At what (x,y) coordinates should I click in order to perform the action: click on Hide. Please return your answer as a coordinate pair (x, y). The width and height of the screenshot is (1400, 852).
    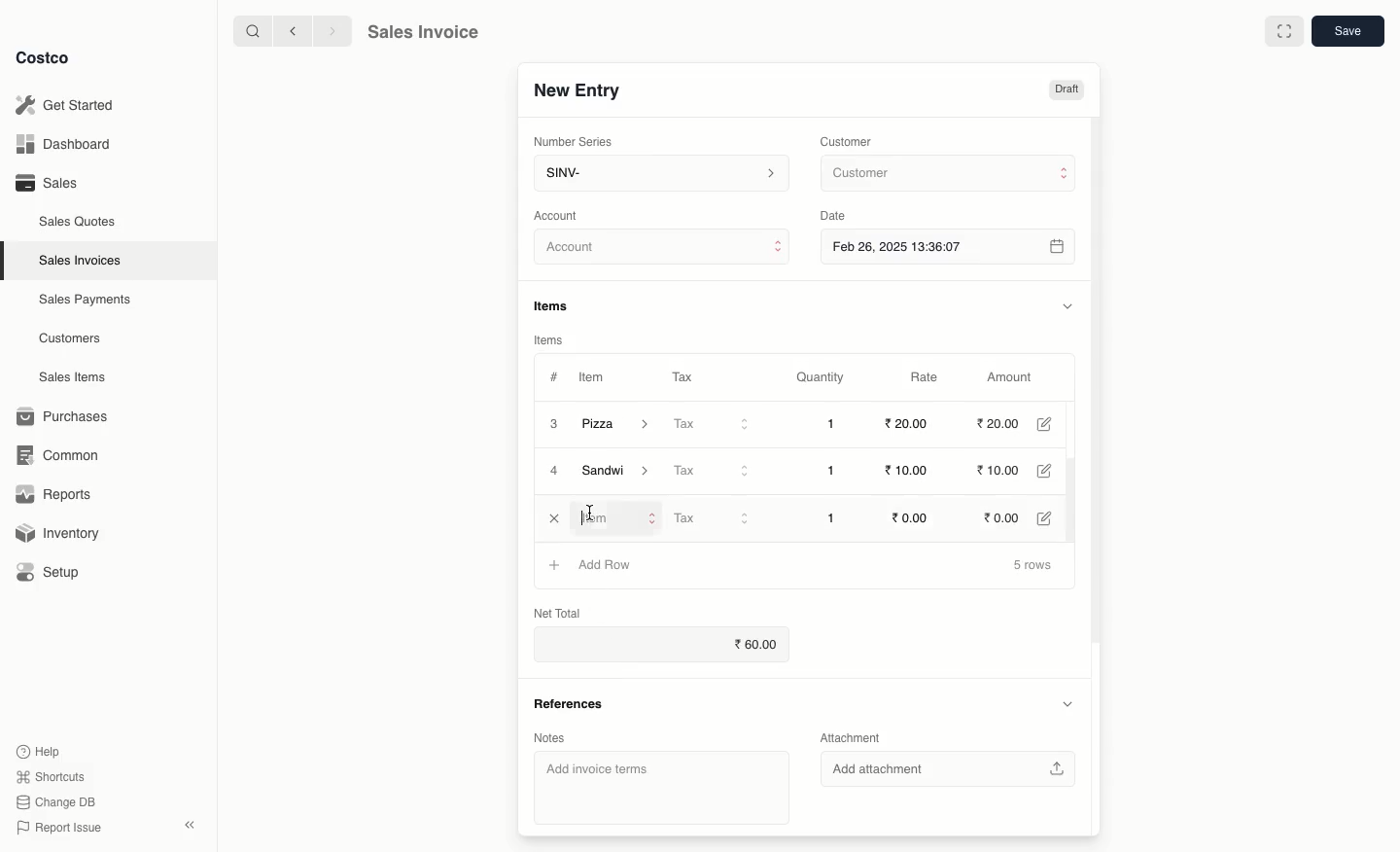
    Looking at the image, I should click on (1067, 704).